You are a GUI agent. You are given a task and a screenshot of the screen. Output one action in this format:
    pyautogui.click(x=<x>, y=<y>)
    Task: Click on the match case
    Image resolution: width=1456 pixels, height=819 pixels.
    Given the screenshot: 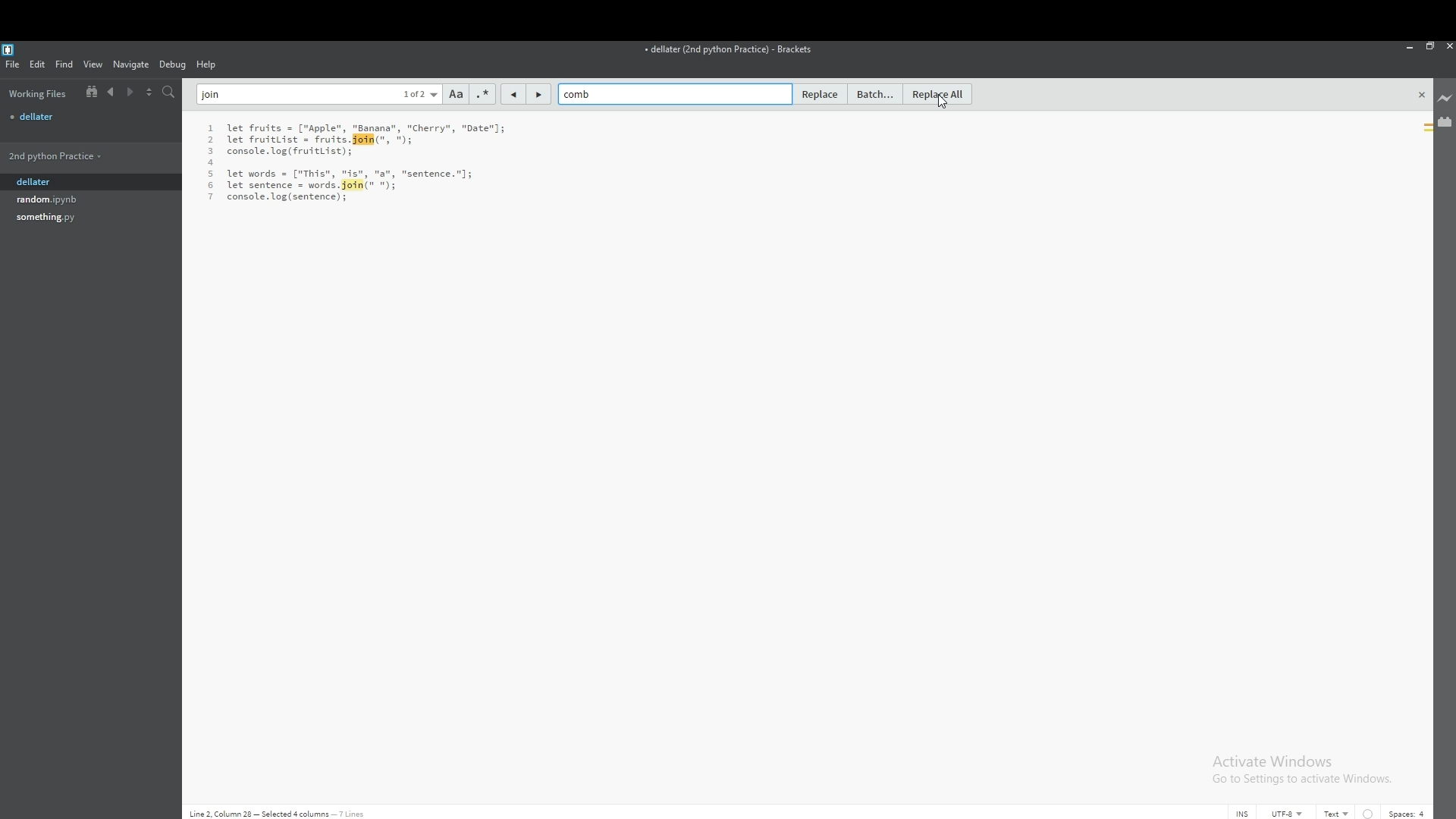 What is the action you would take?
    pyautogui.click(x=457, y=95)
    